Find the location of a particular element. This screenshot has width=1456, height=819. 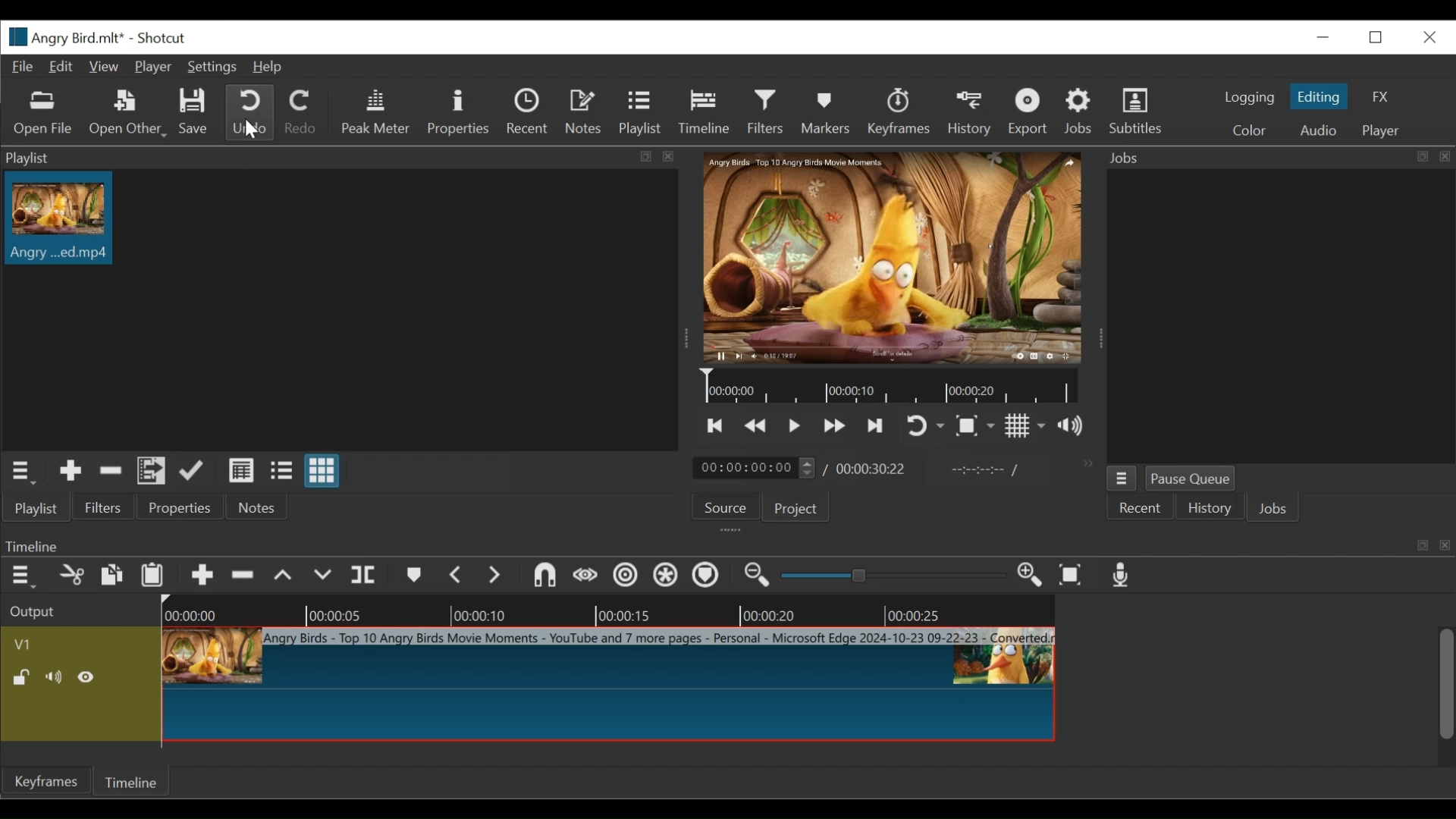

Update is located at coordinates (193, 470).